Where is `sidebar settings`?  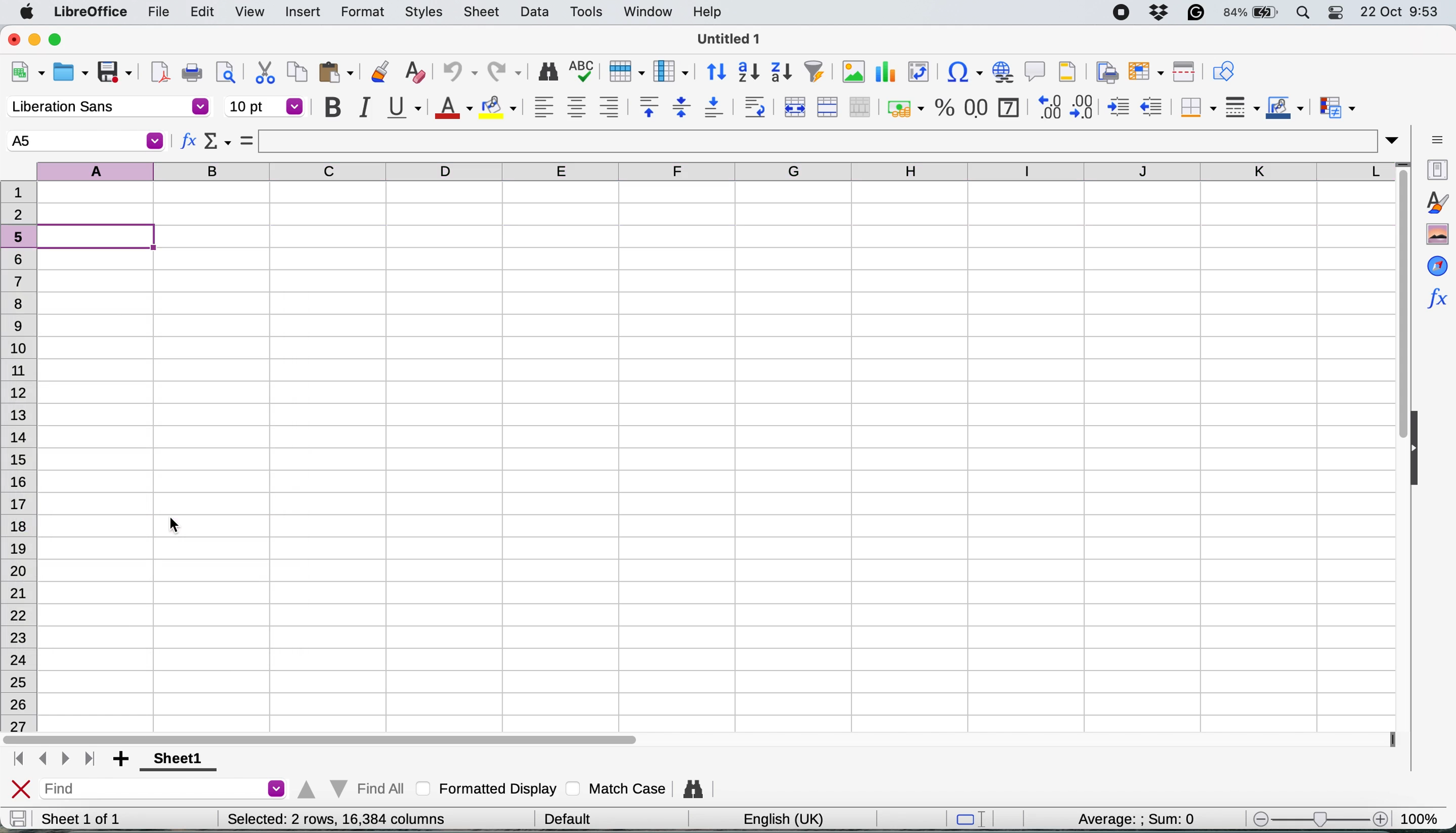
sidebar settings is located at coordinates (1437, 138).